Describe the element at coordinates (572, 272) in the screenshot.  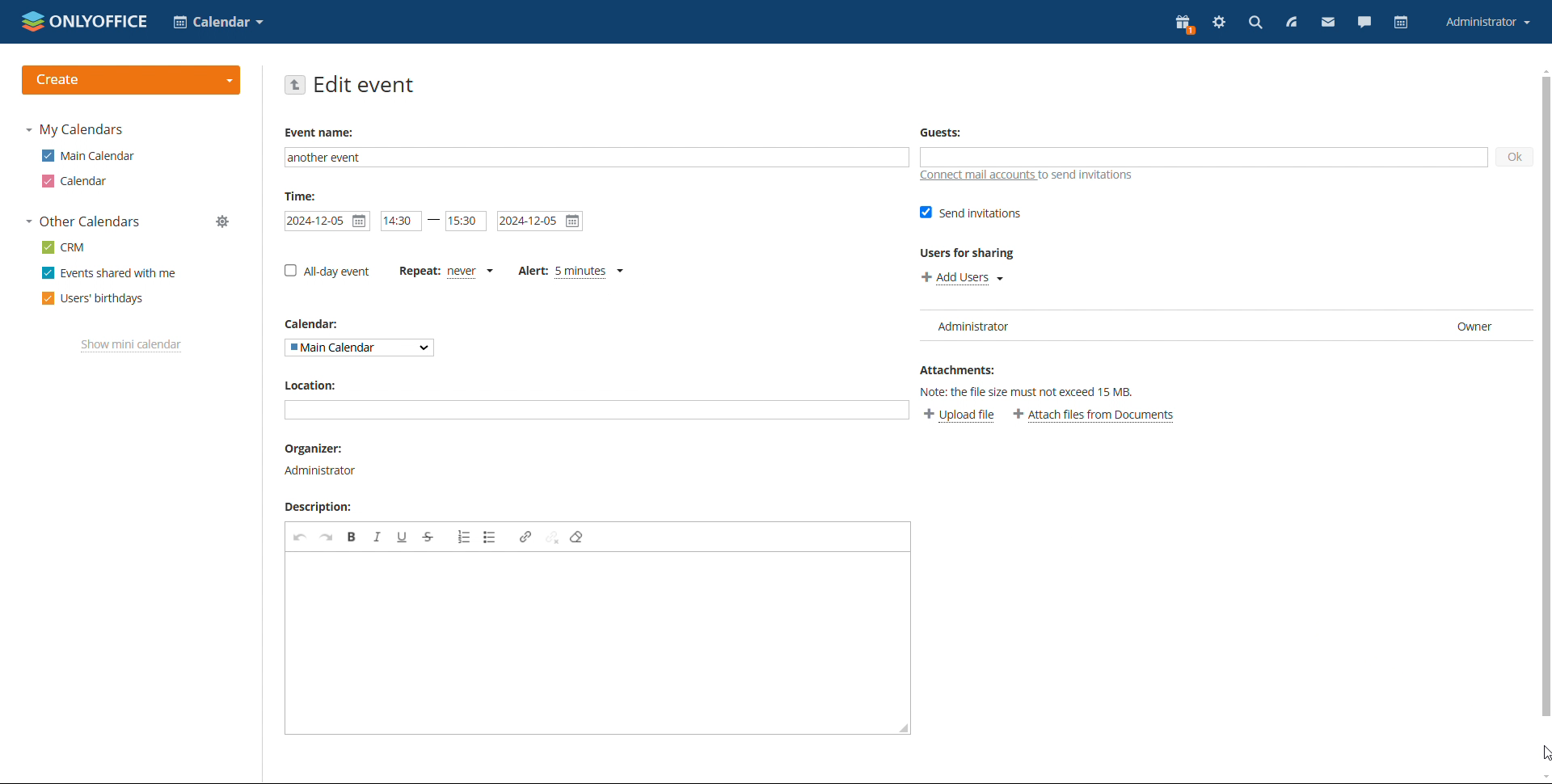
I see `set alert` at that location.